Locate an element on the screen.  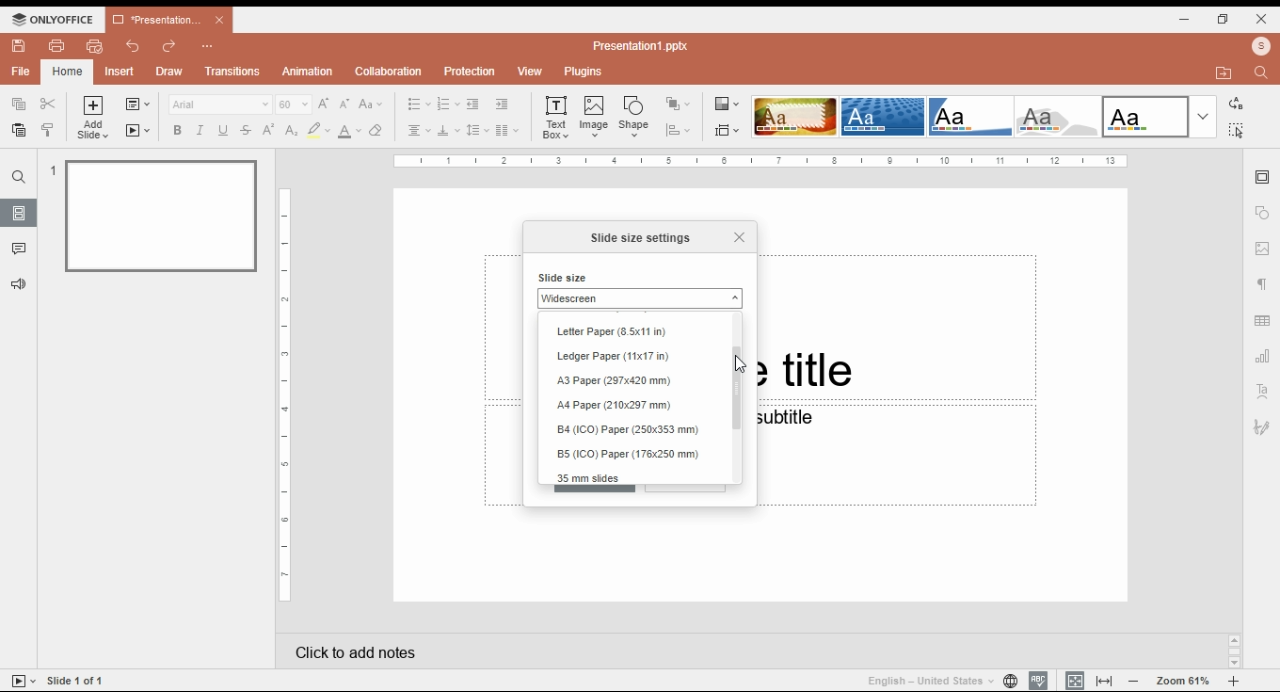
subscript is located at coordinates (289, 130).